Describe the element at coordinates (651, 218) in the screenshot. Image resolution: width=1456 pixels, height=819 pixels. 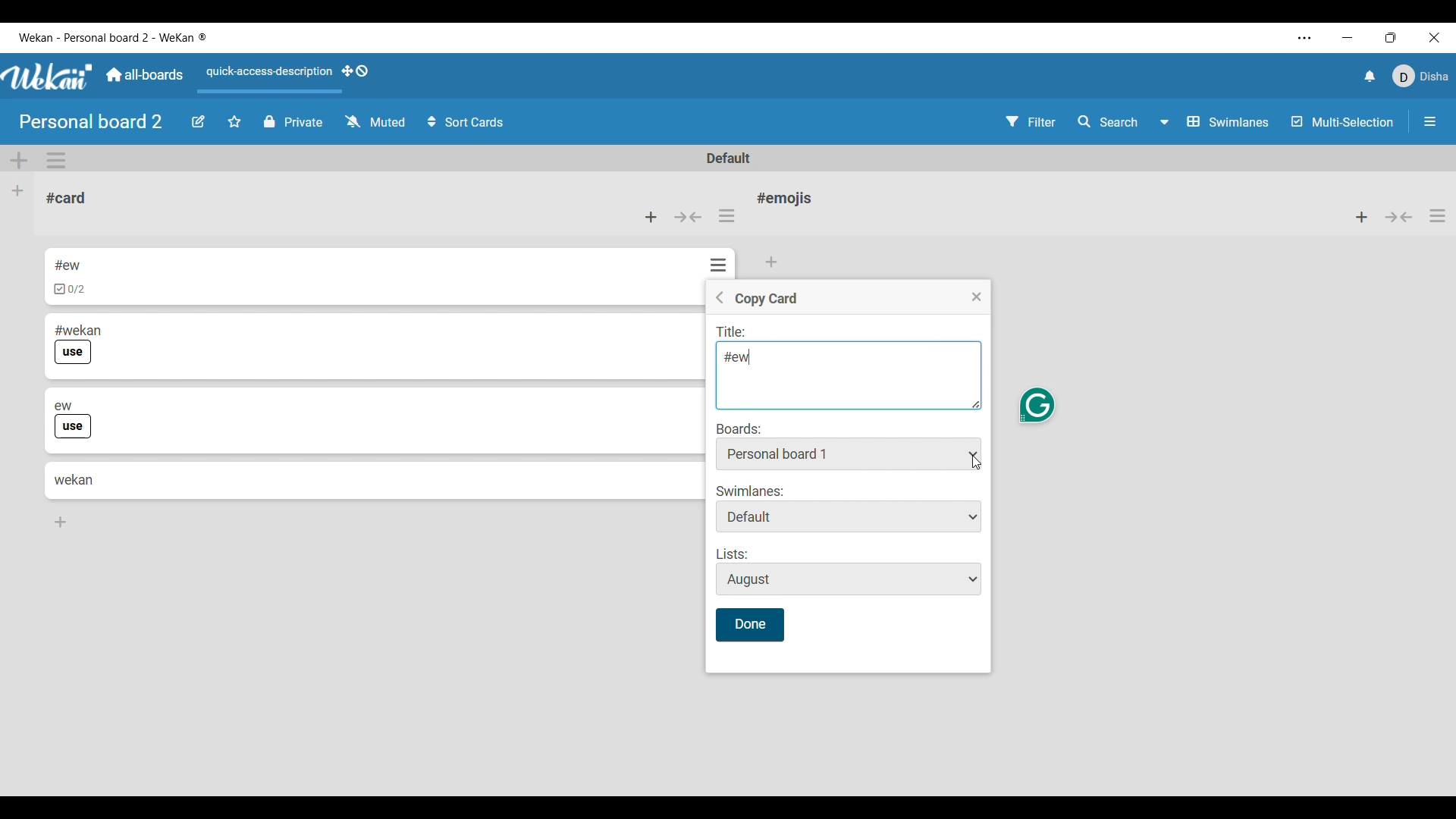
I see `Add card to top of list` at that location.